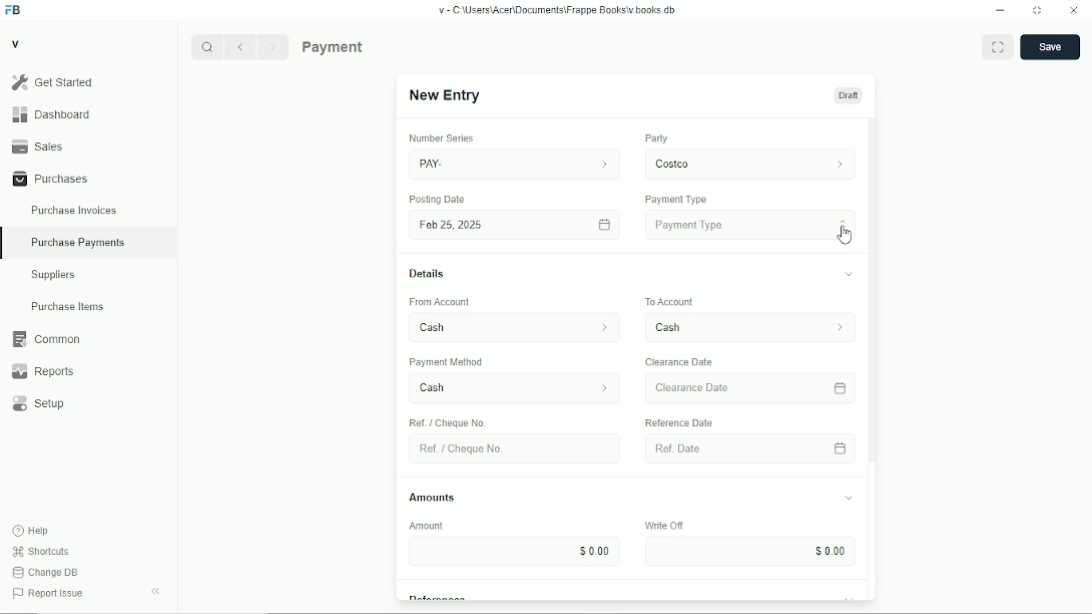  What do you see at coordinates (88, 306) in the screenshot?
I see `Purchase Items` at bounding box center [88, 306].